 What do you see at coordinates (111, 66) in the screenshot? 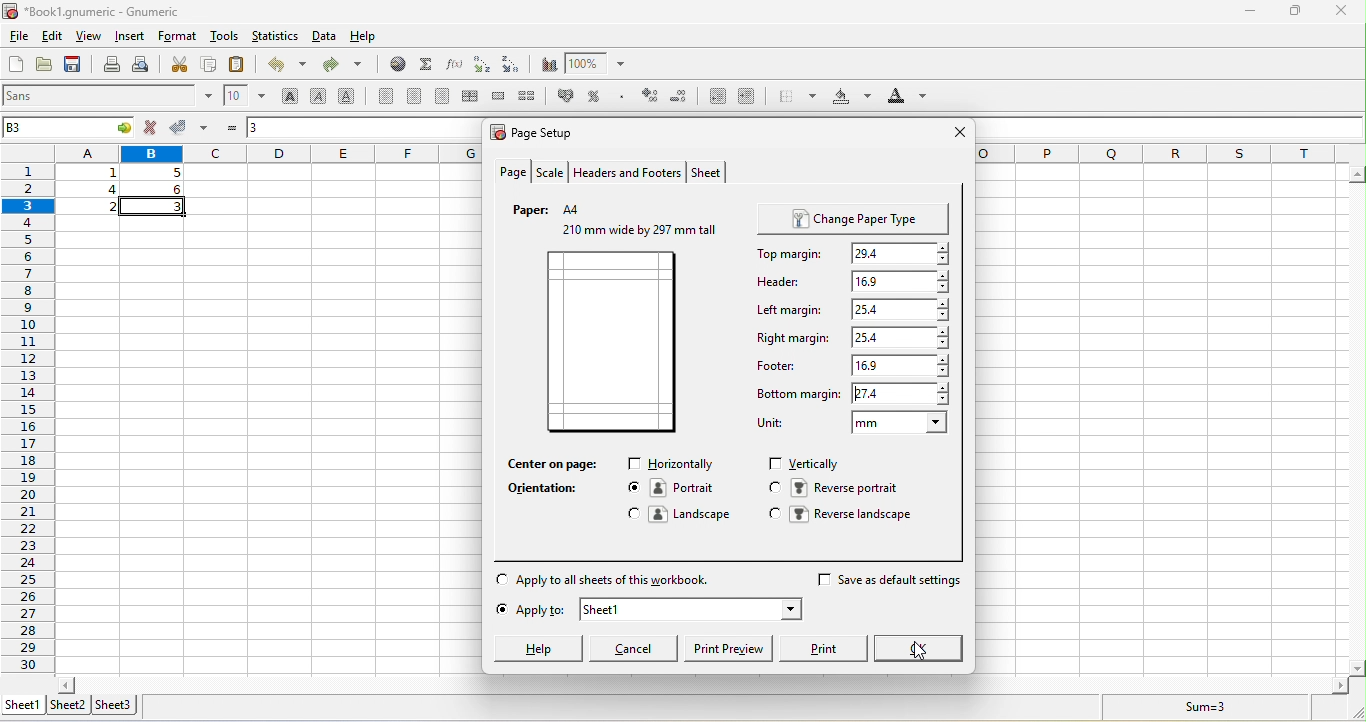
I see `print` at bounding box center [111, 66].